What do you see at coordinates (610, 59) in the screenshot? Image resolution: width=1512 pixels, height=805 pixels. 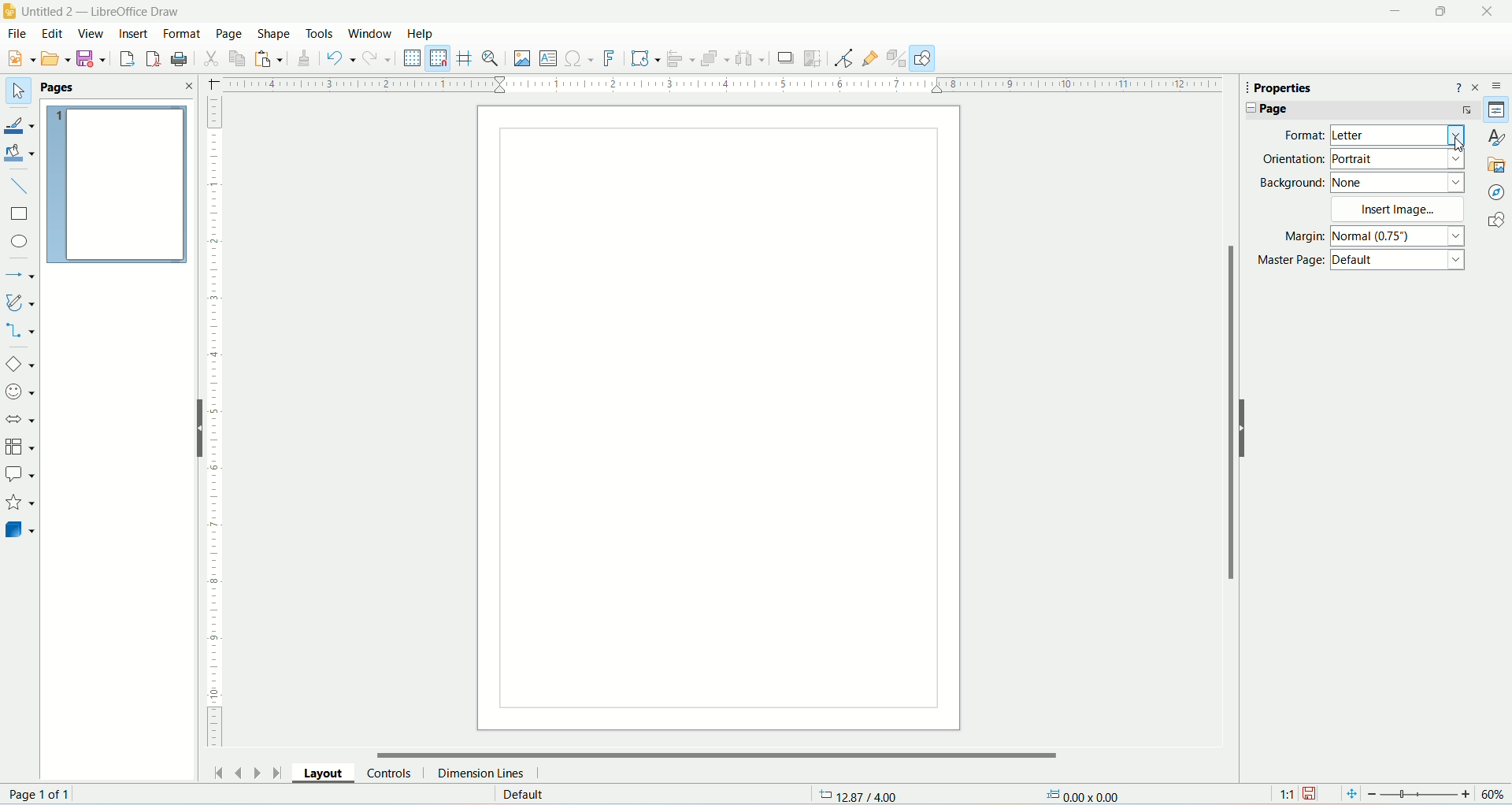 I see `fontwork text` at bounding box center [610, 59].